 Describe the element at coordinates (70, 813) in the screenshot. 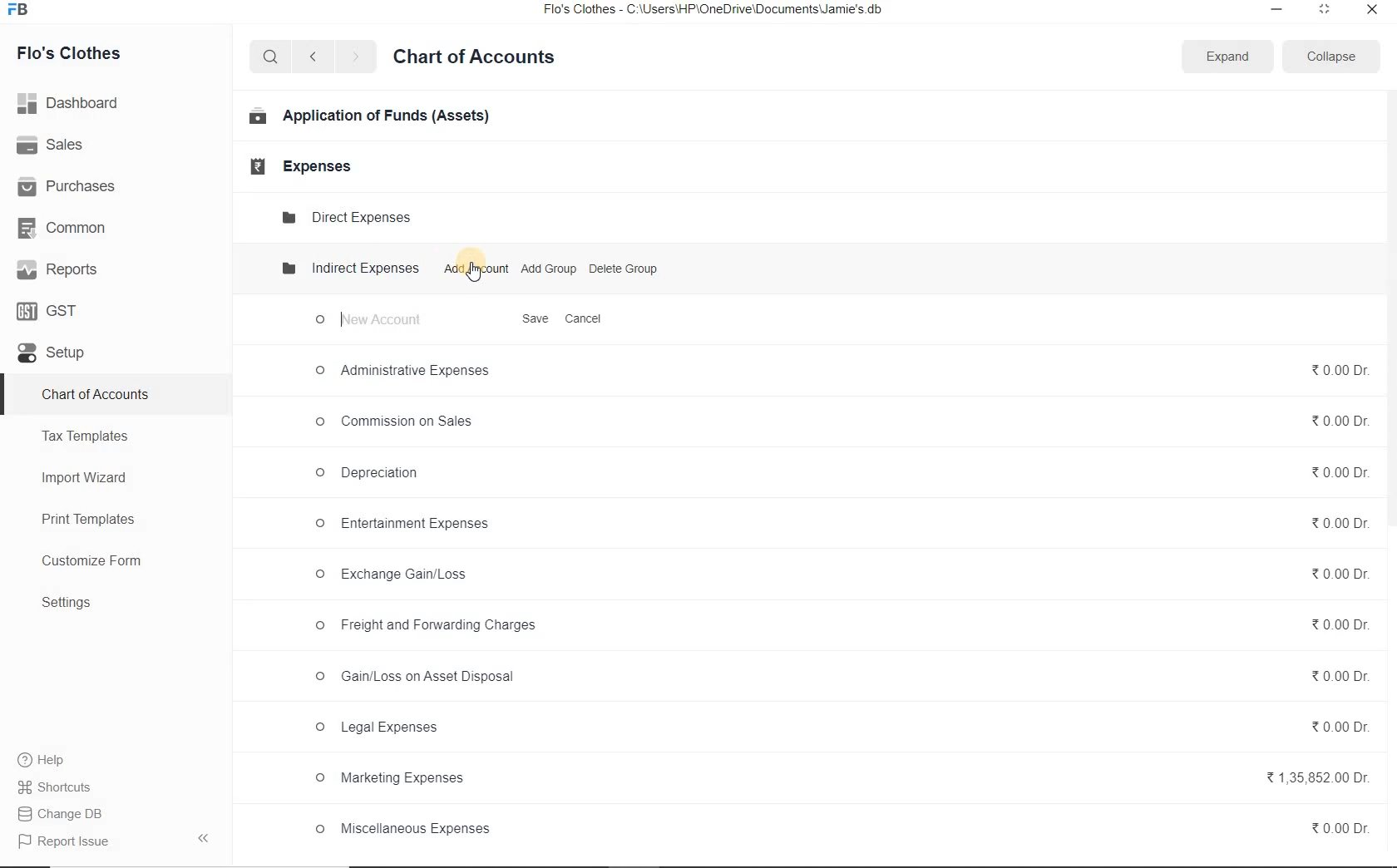

I see ` Change DB` at that location.